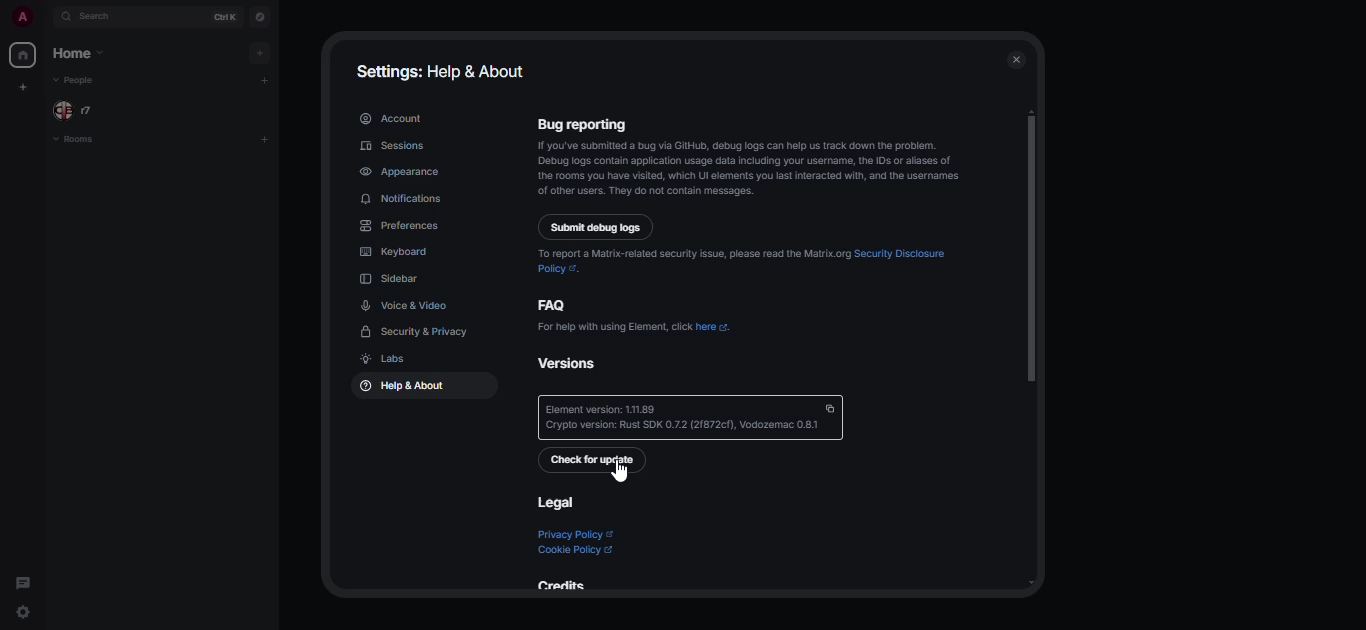  I want to click on people, so click(74, 80).